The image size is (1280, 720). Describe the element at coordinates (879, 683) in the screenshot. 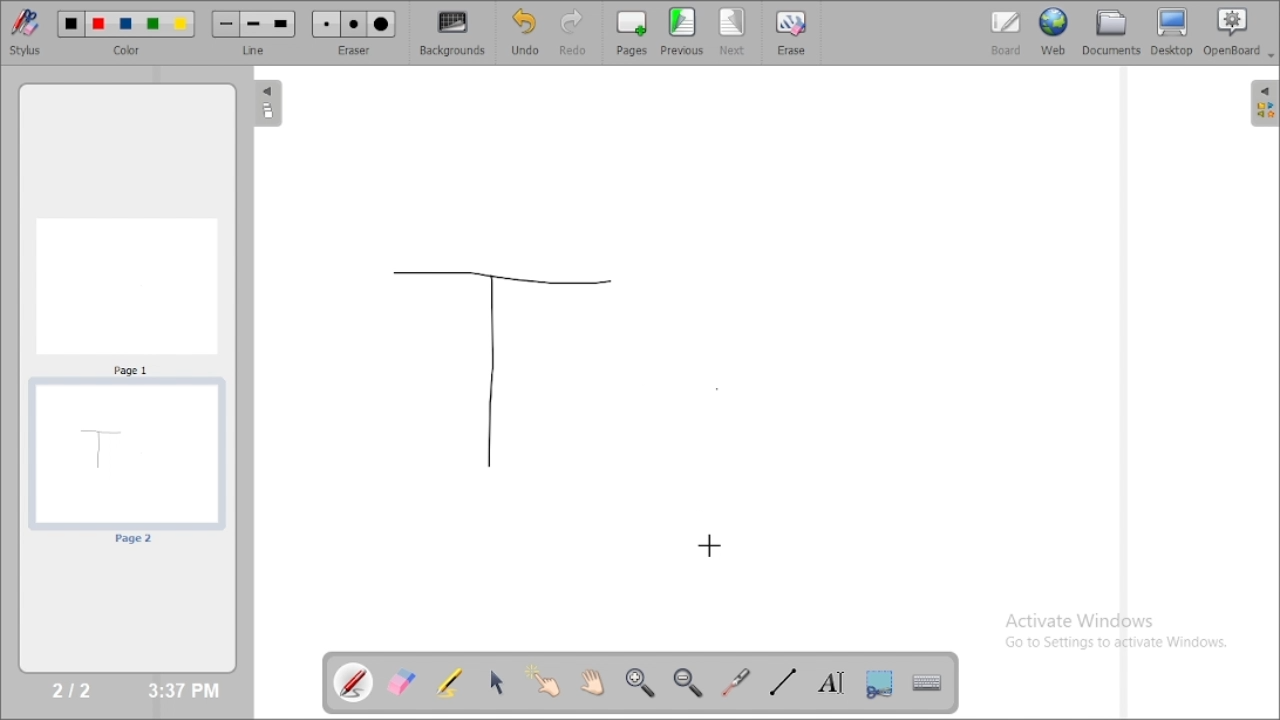

I see `capture part of the screen` at that location.